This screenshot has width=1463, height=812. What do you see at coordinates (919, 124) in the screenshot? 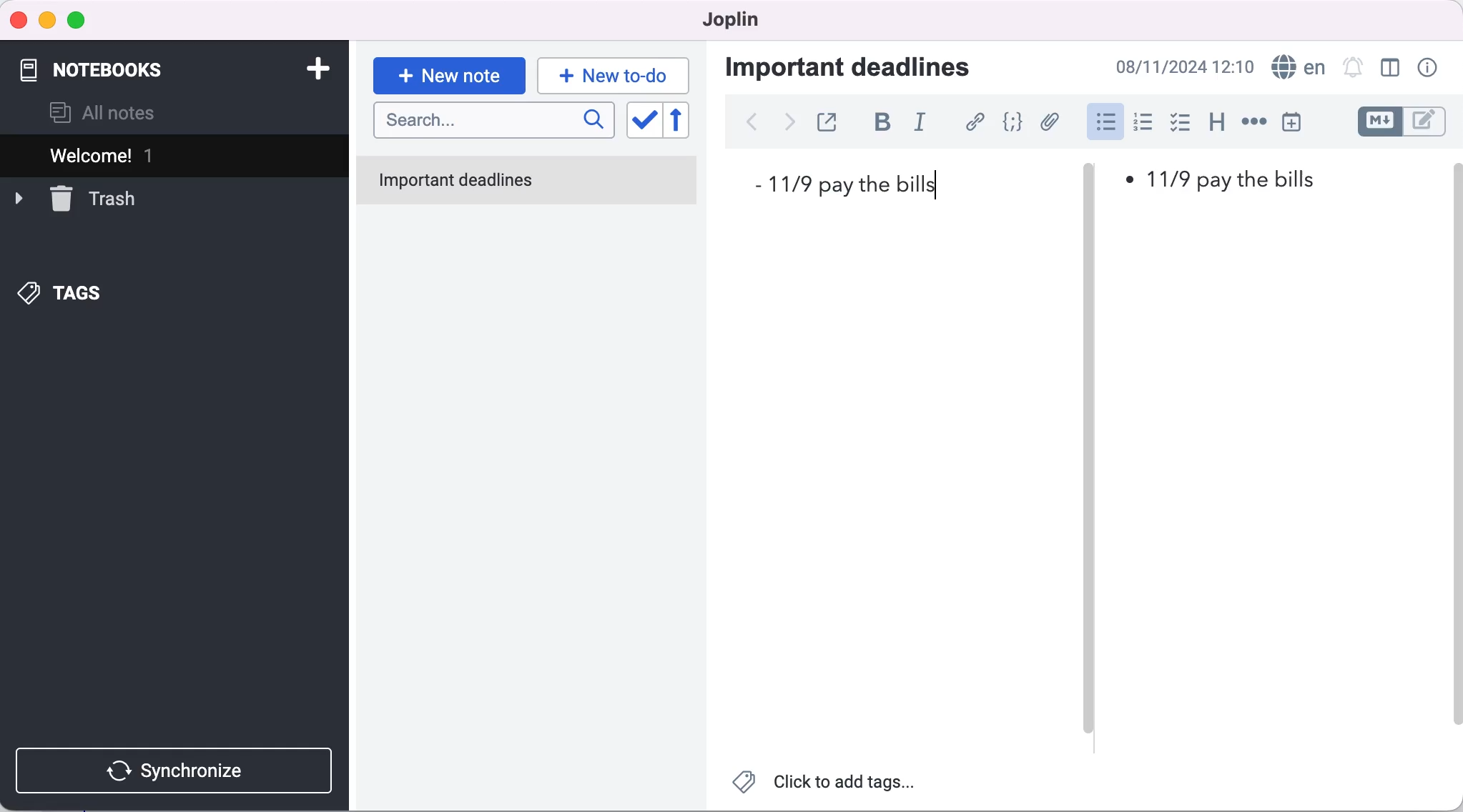
I see `italic` at bounding box center [919, 124].